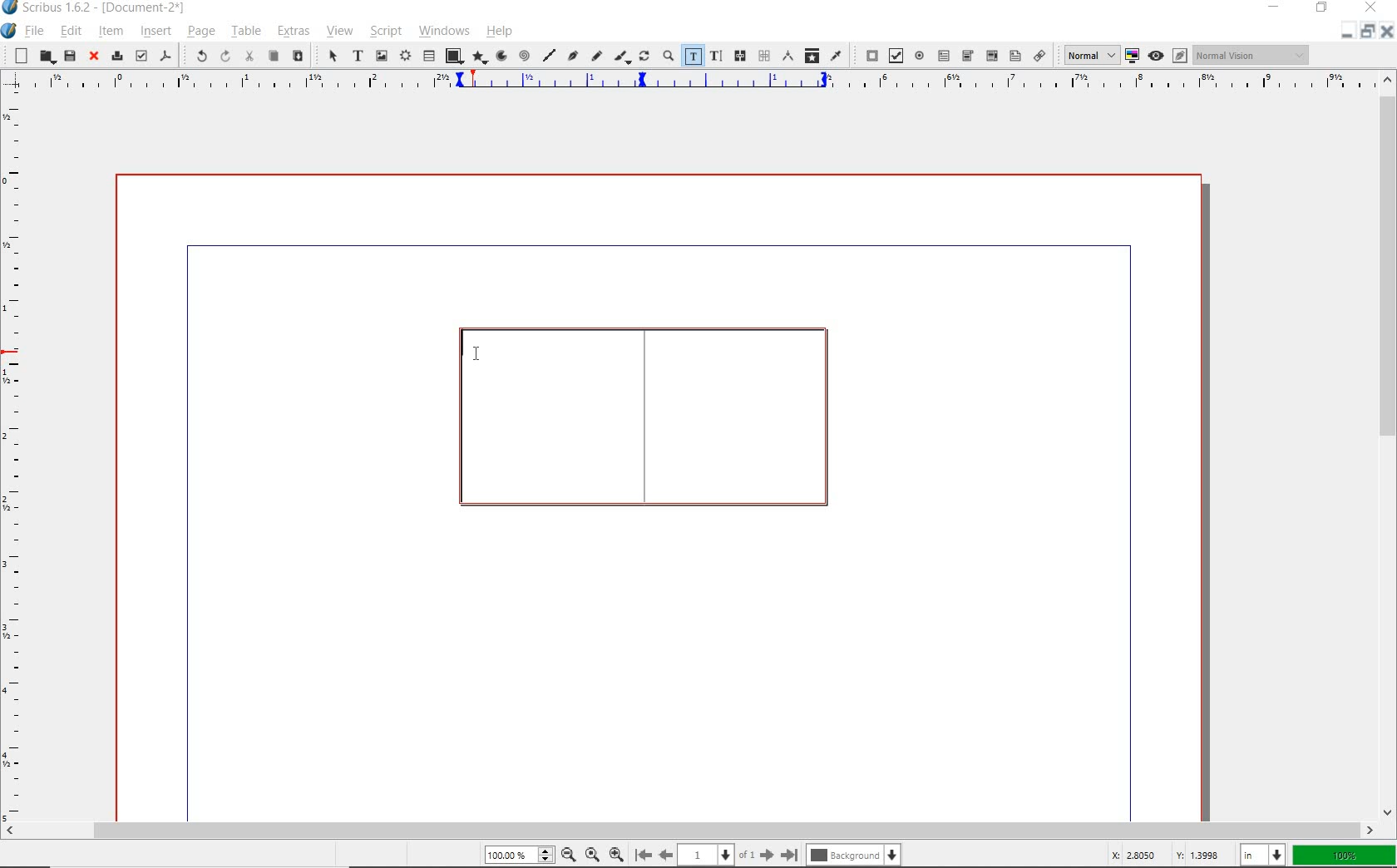  I want to click on link annotation, so click(1038, 55).